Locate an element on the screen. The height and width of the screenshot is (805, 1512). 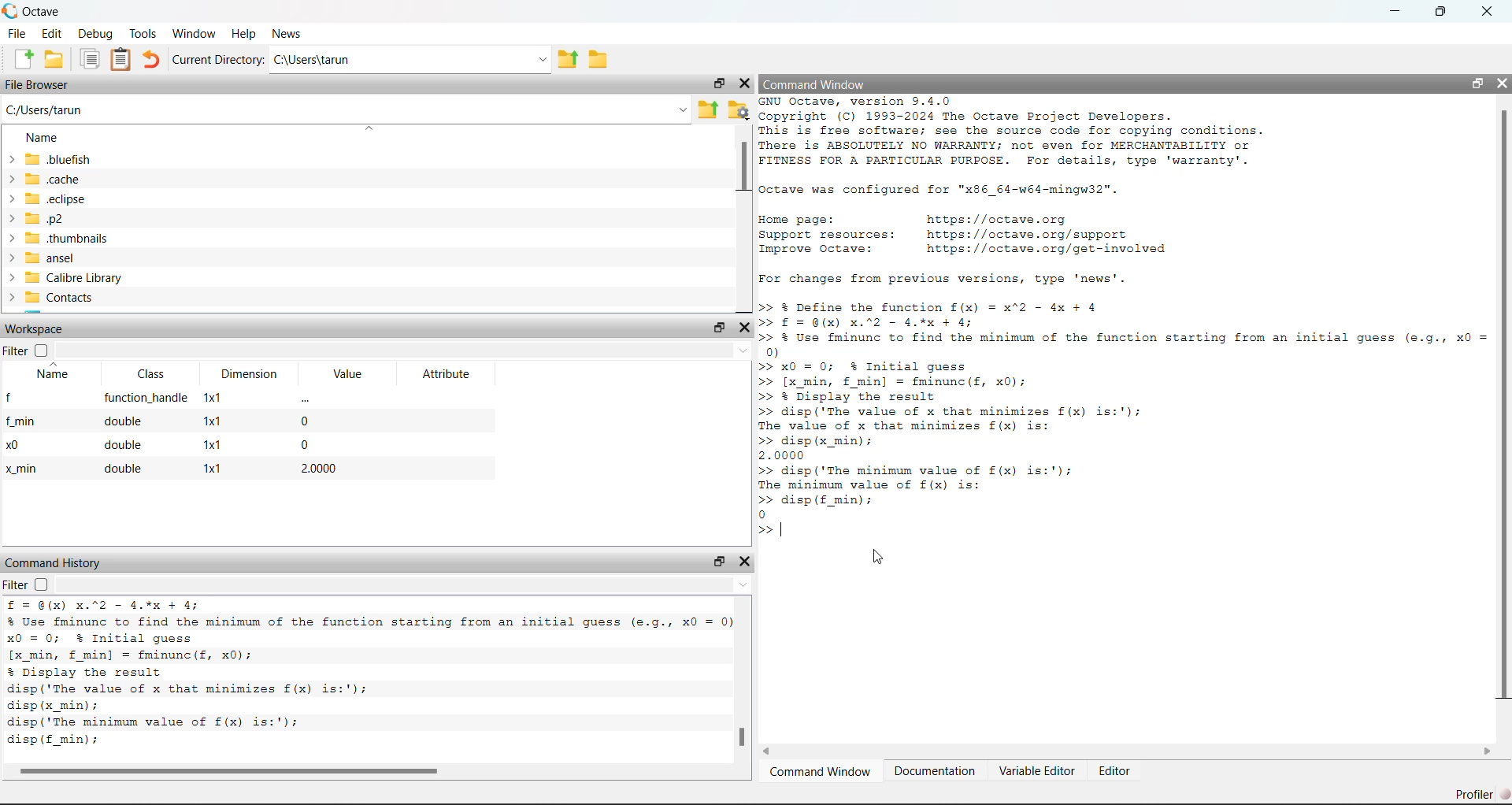
Right is located at coordinates (1488, 749).